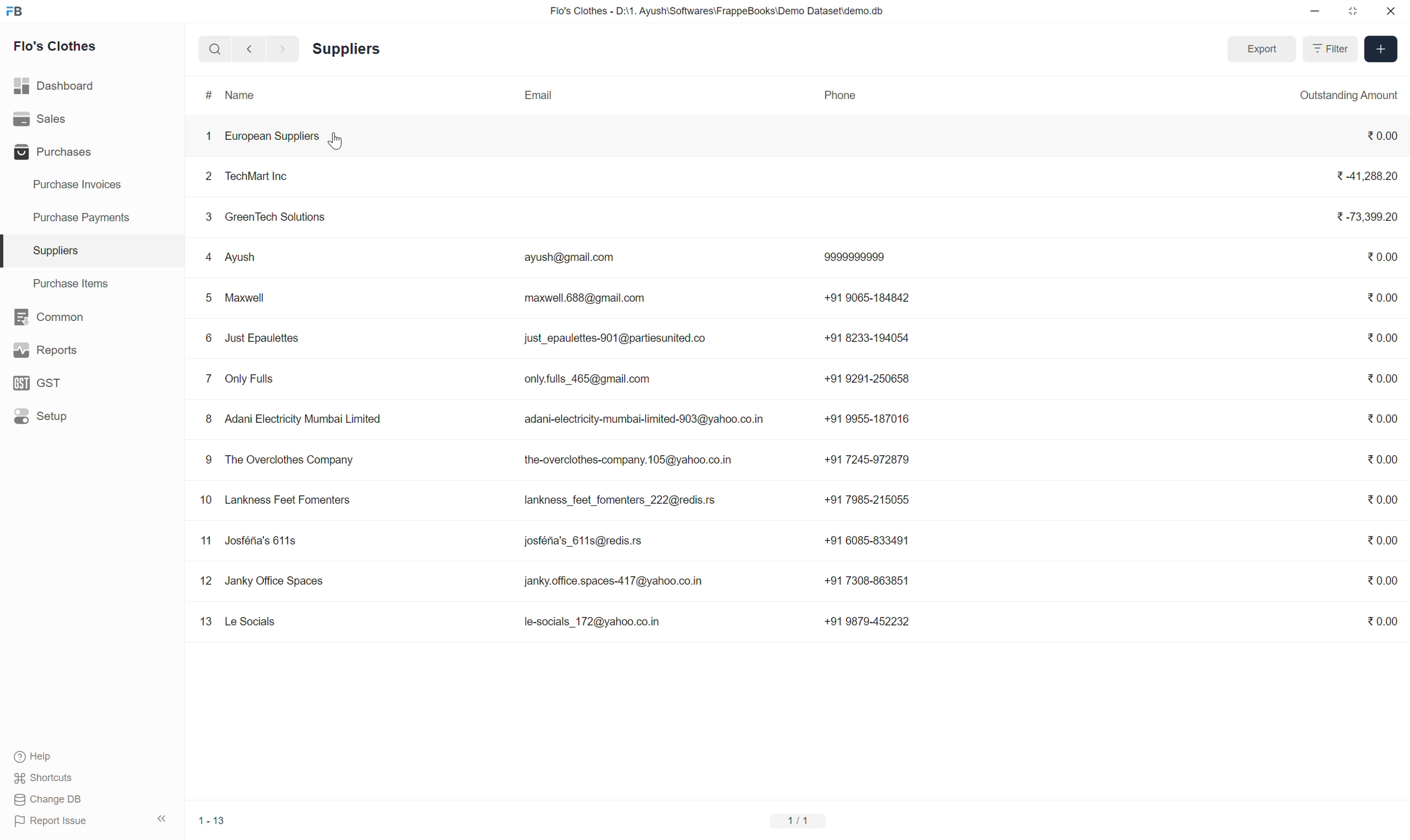  I want to click on %0.00, so click(1370, 498).